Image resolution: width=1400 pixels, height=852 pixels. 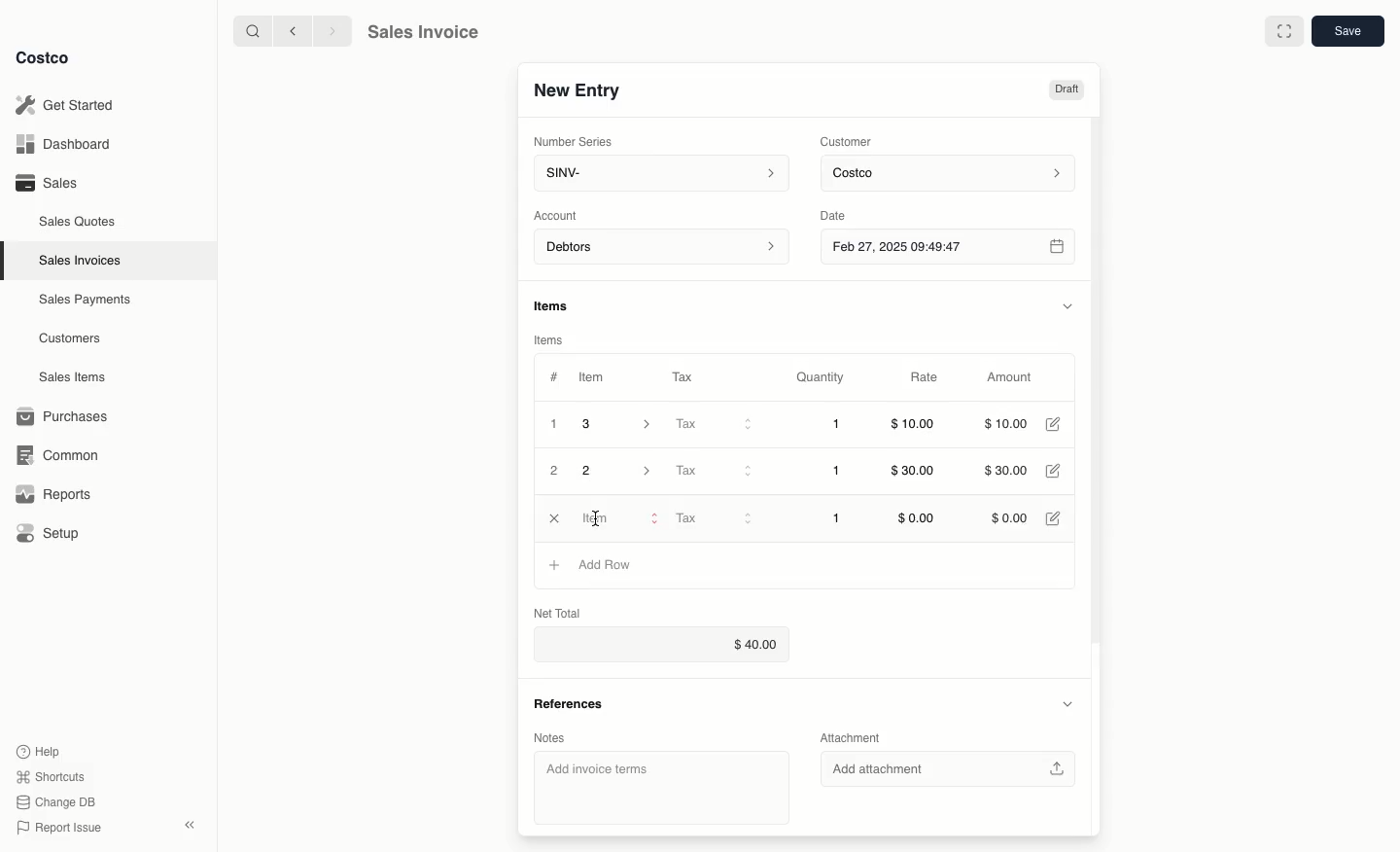 What do you see at coordinates (575, 709) in the screenshot?
I see `References` at bounding box center [575, 709].